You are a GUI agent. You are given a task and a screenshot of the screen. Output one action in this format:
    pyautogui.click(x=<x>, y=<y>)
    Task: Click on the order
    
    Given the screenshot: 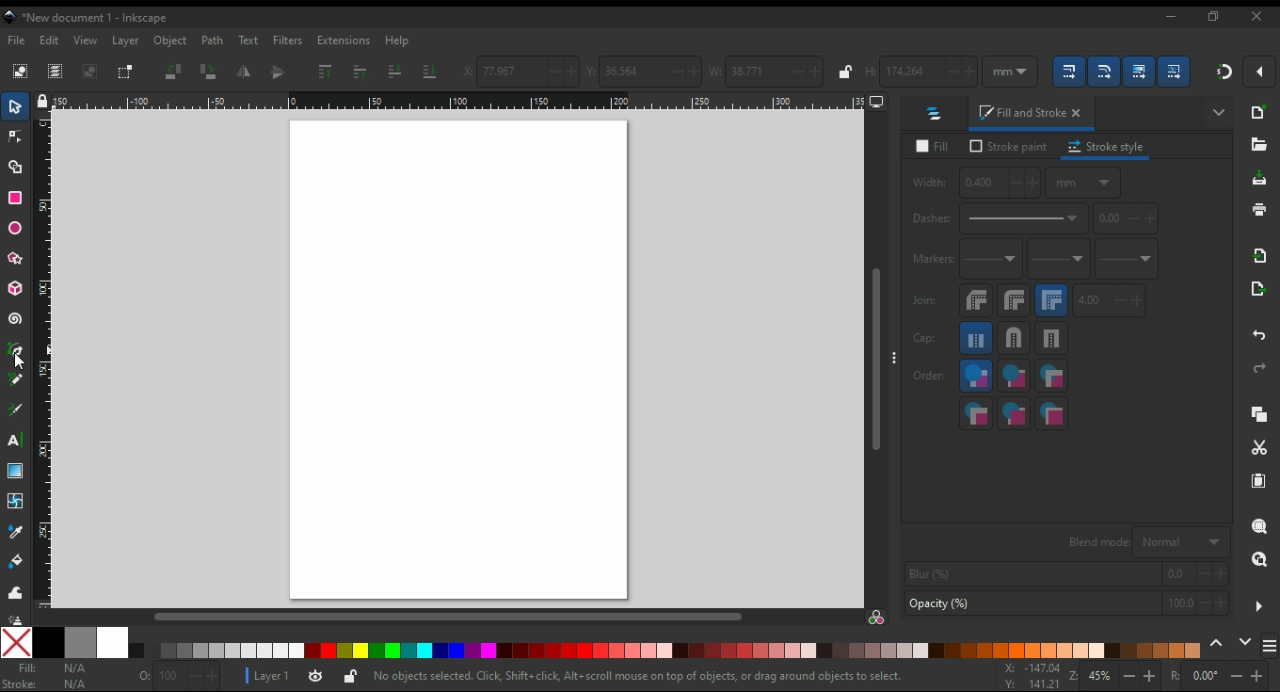 What is the action you would take?
    pyautogui.click(x=929, y=375)
    